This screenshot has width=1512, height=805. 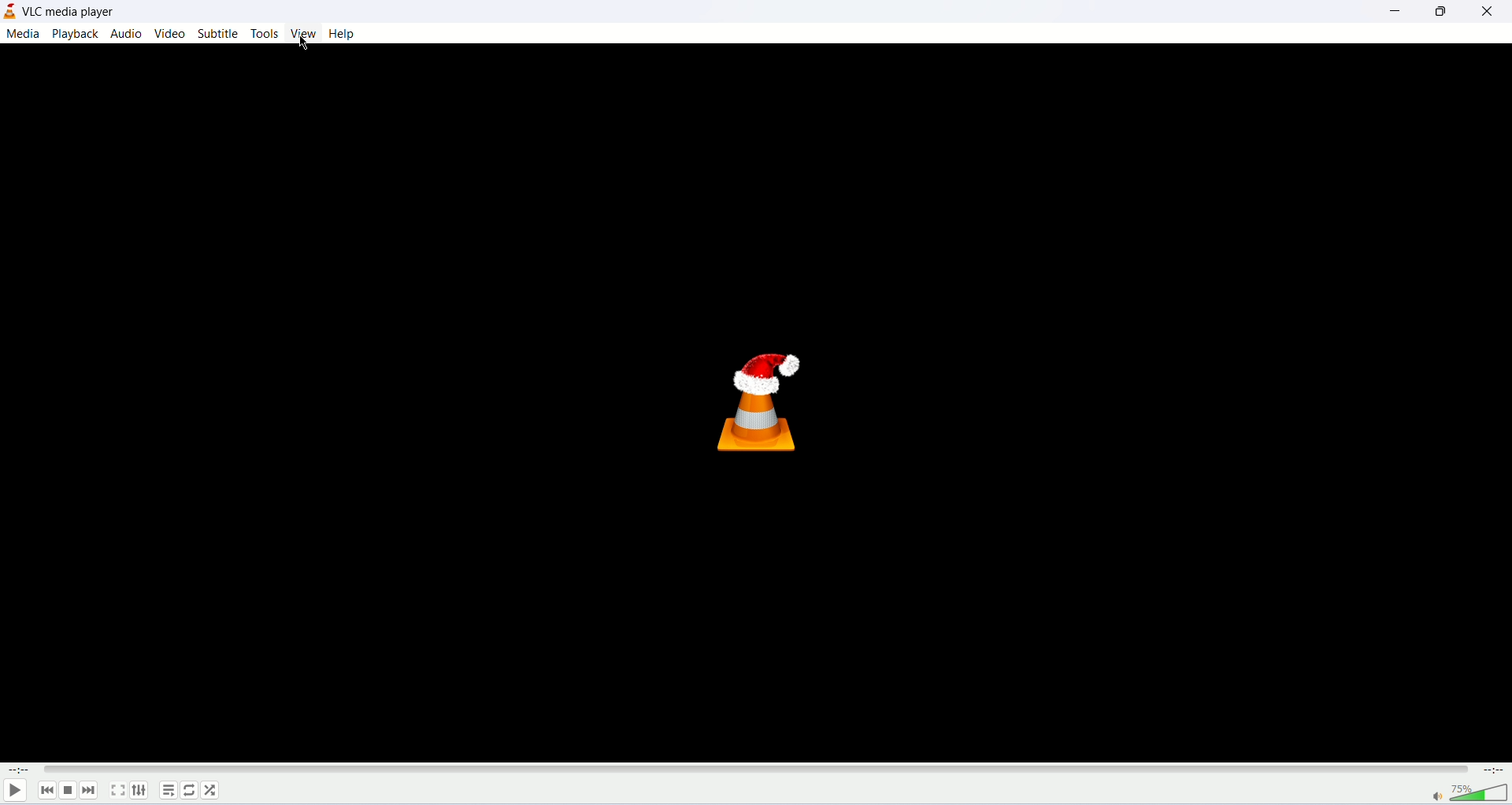 What do you see at coordinates (219, 33) in the screenshot?
I see `subtitle` at bounding box center [219, 33].